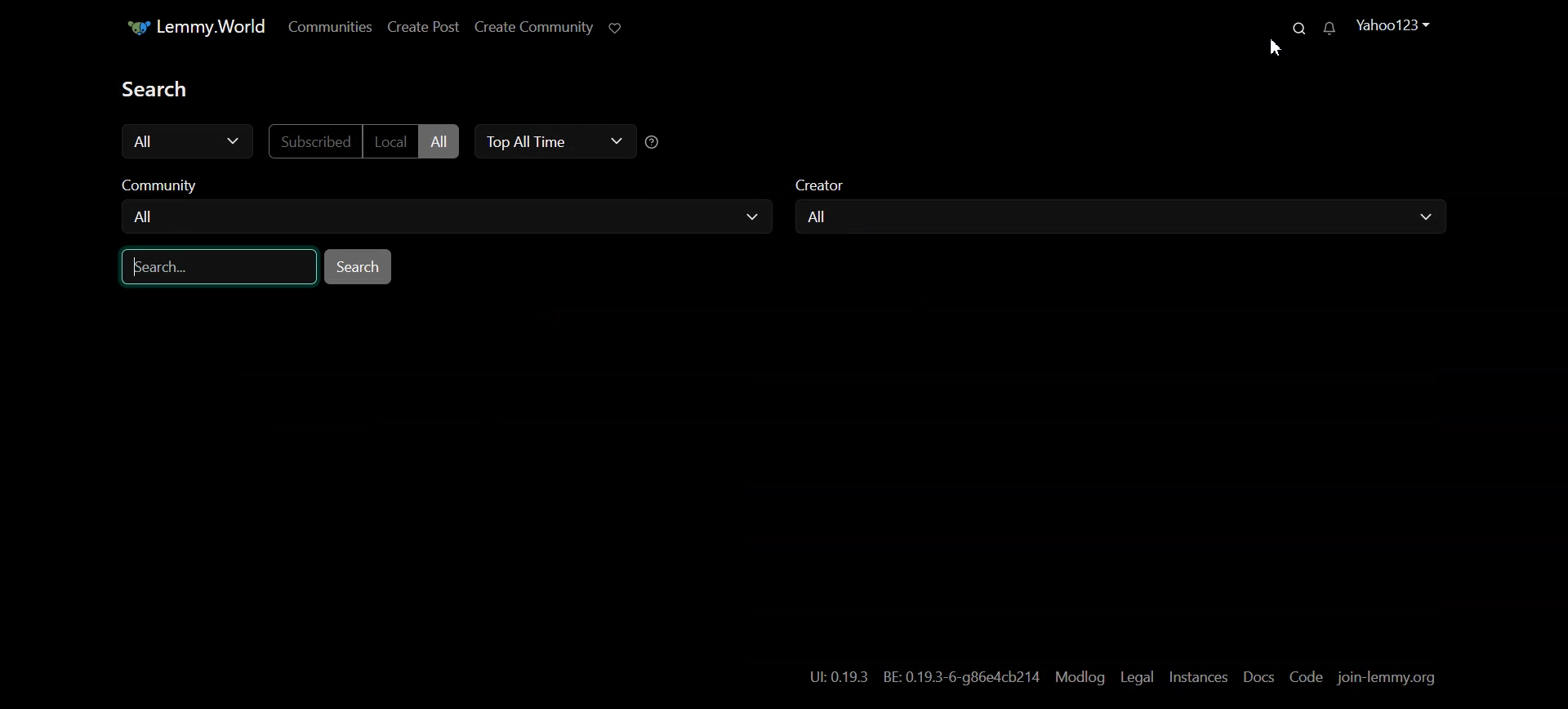 The height and width of the screenshot is (709, 1568). What do you see at coordinates (423, 27) in the screenshot?
I see `Create Post` at bounding box center [423, 27].